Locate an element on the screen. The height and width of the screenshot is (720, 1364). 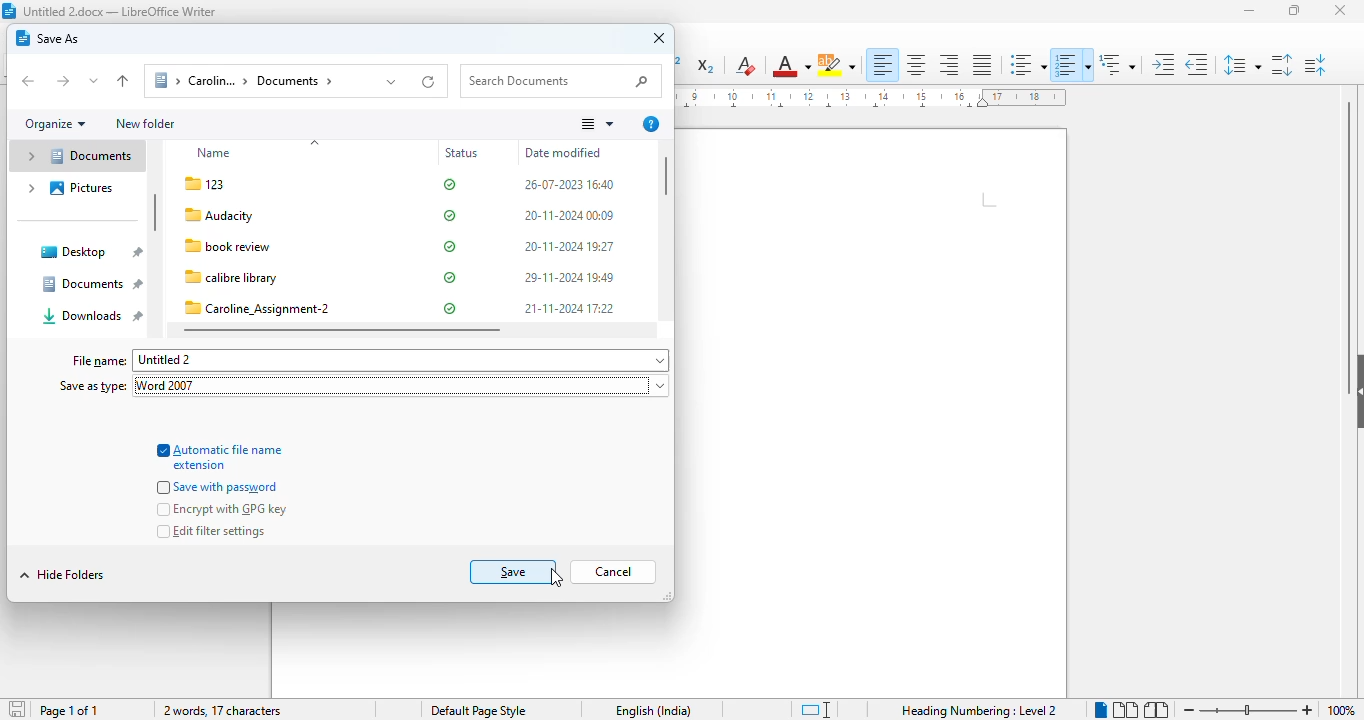
change your view is located at coordinates (596, 124).